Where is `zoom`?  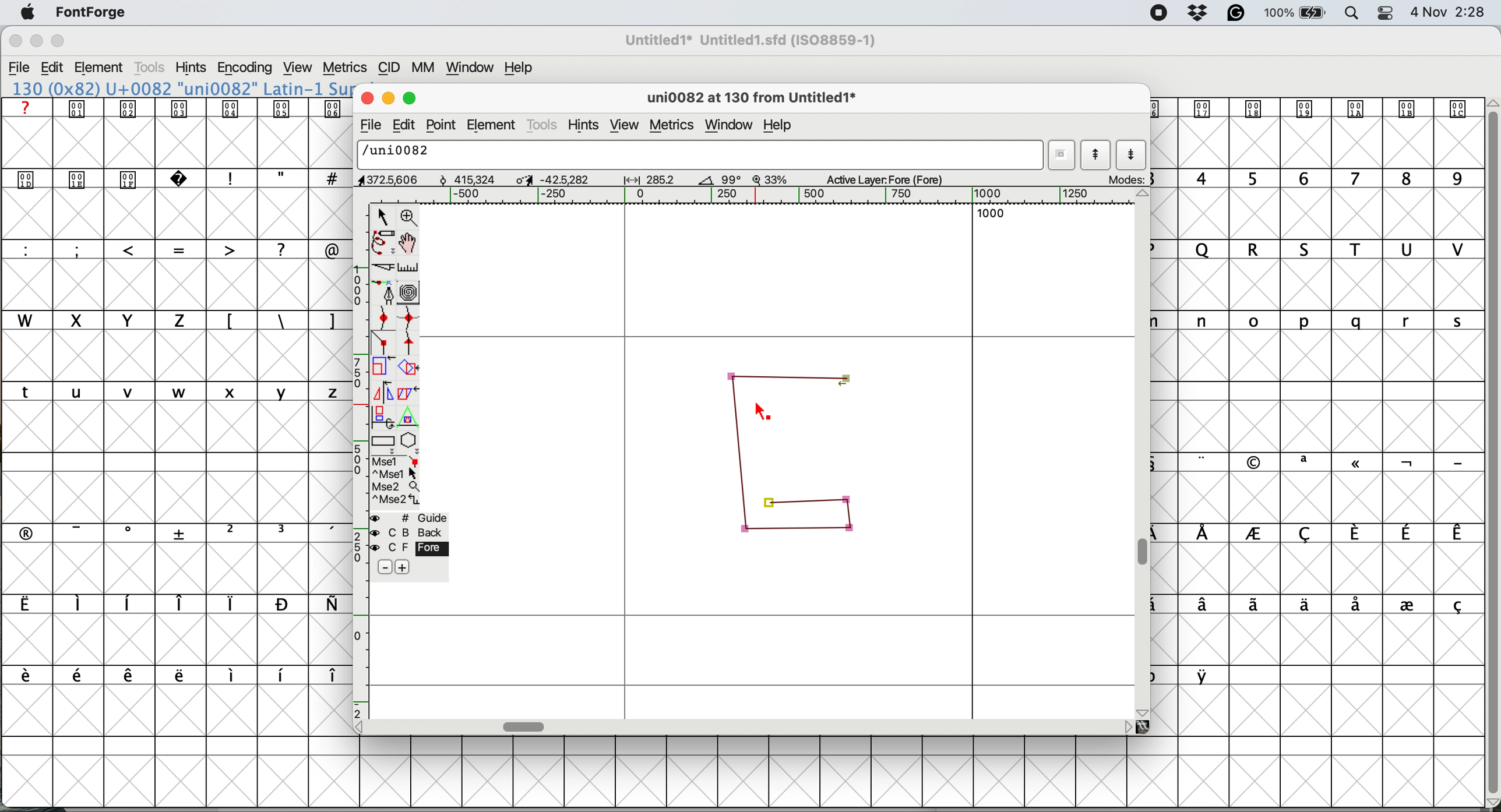 zoom is located at coordinates (410, 216).